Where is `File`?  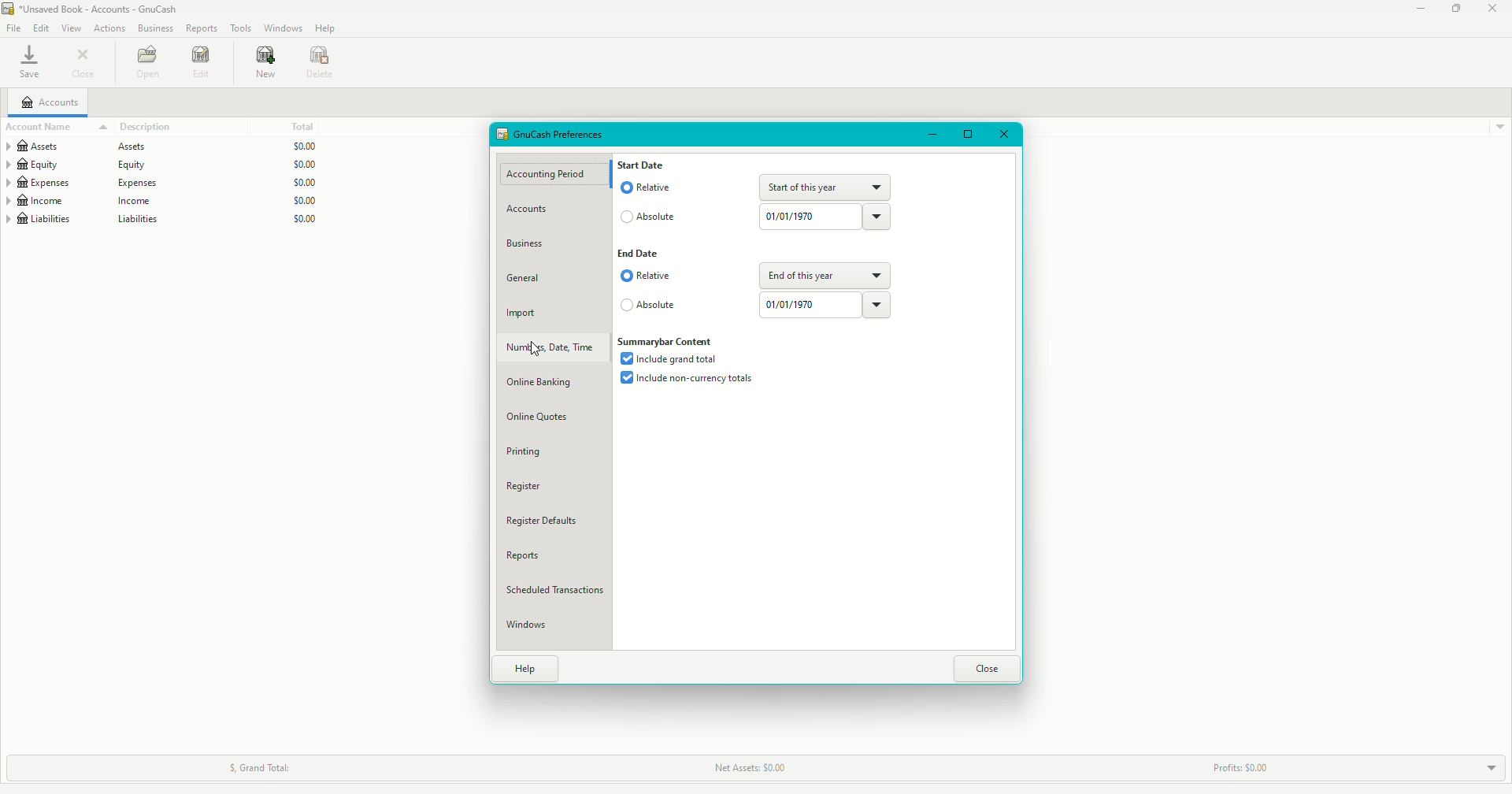 File is located at coordinates (14, 28).